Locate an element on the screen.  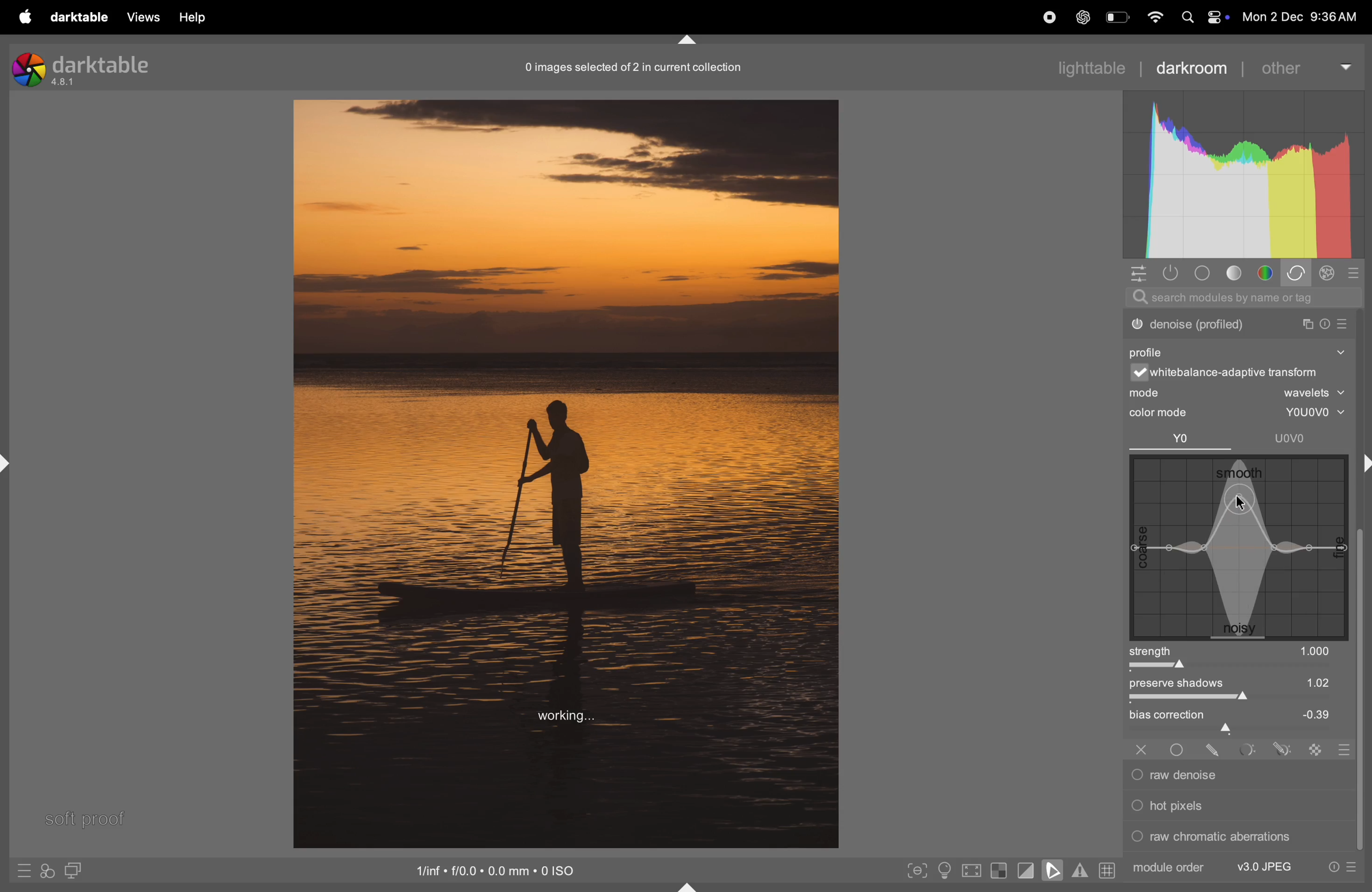
quick acess to ypur styles is located at coordinates (47, 872).